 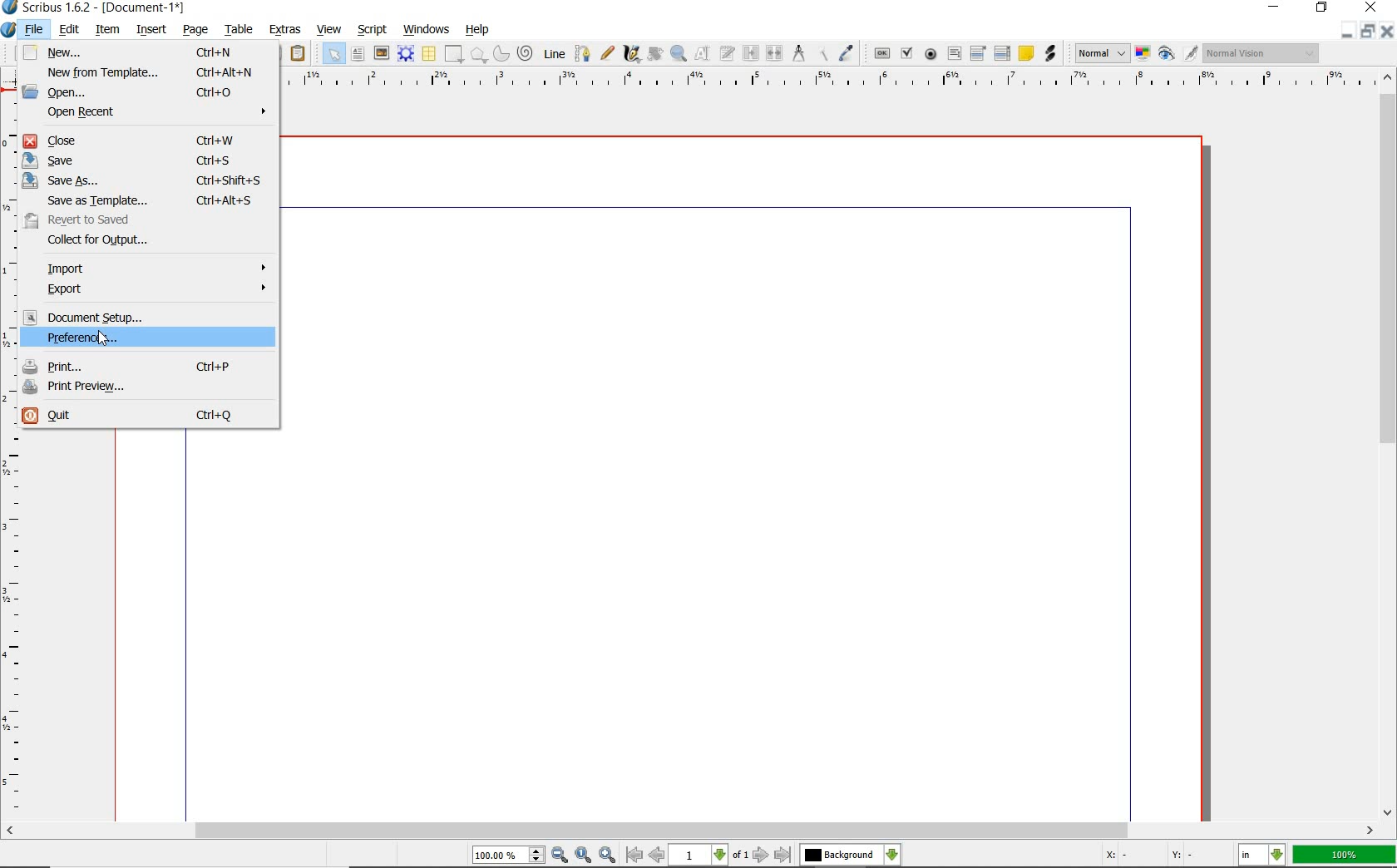 I want to click on zoom in/zoom to/zoom out, so click(x=546, y=856).